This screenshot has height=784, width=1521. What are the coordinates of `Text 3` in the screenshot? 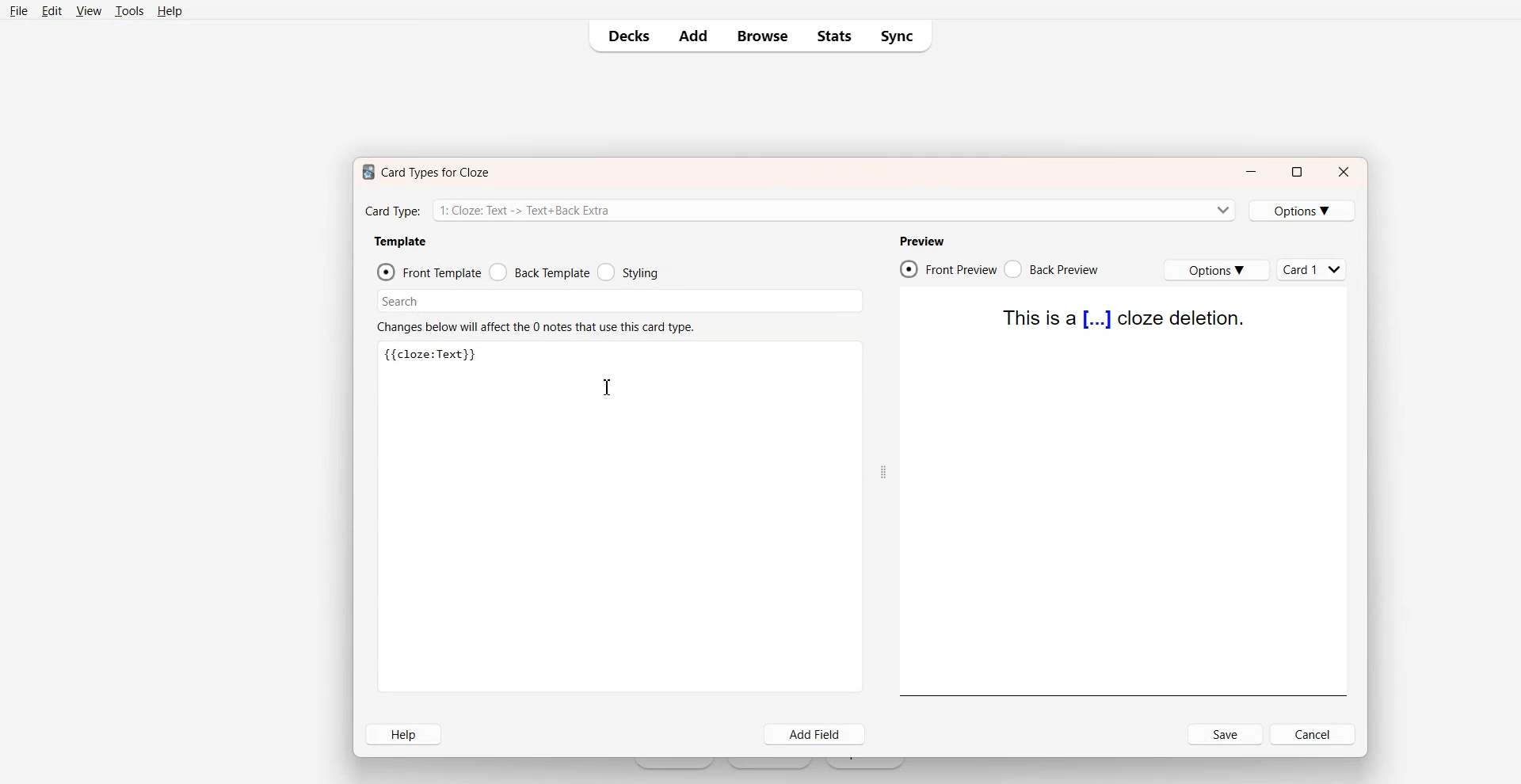 It's located at (433, 356).